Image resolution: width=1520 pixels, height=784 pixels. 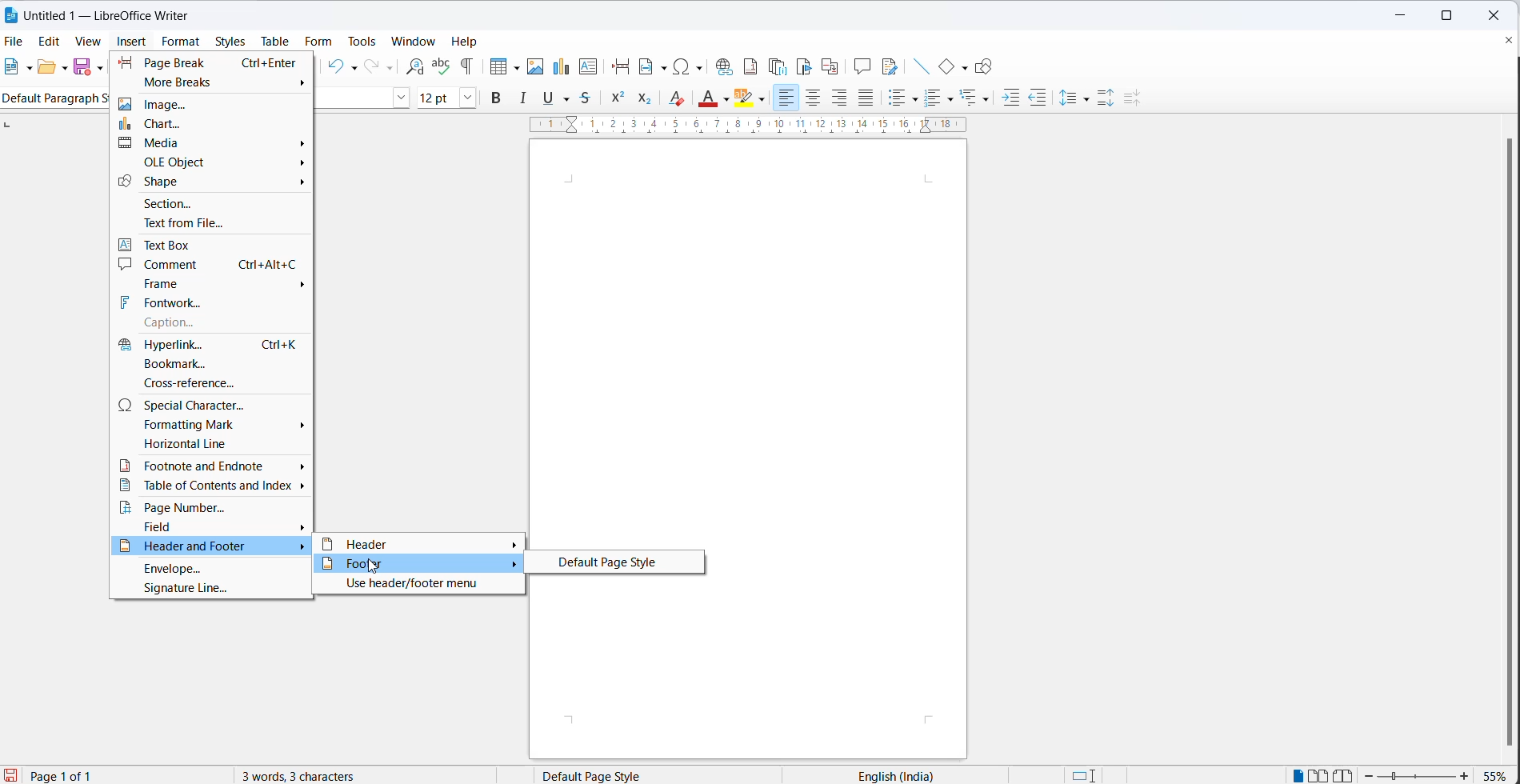 What do you see at coordinates (210, 590) in the screenshot?
I see `signature line` at bounding box center [210, 590].